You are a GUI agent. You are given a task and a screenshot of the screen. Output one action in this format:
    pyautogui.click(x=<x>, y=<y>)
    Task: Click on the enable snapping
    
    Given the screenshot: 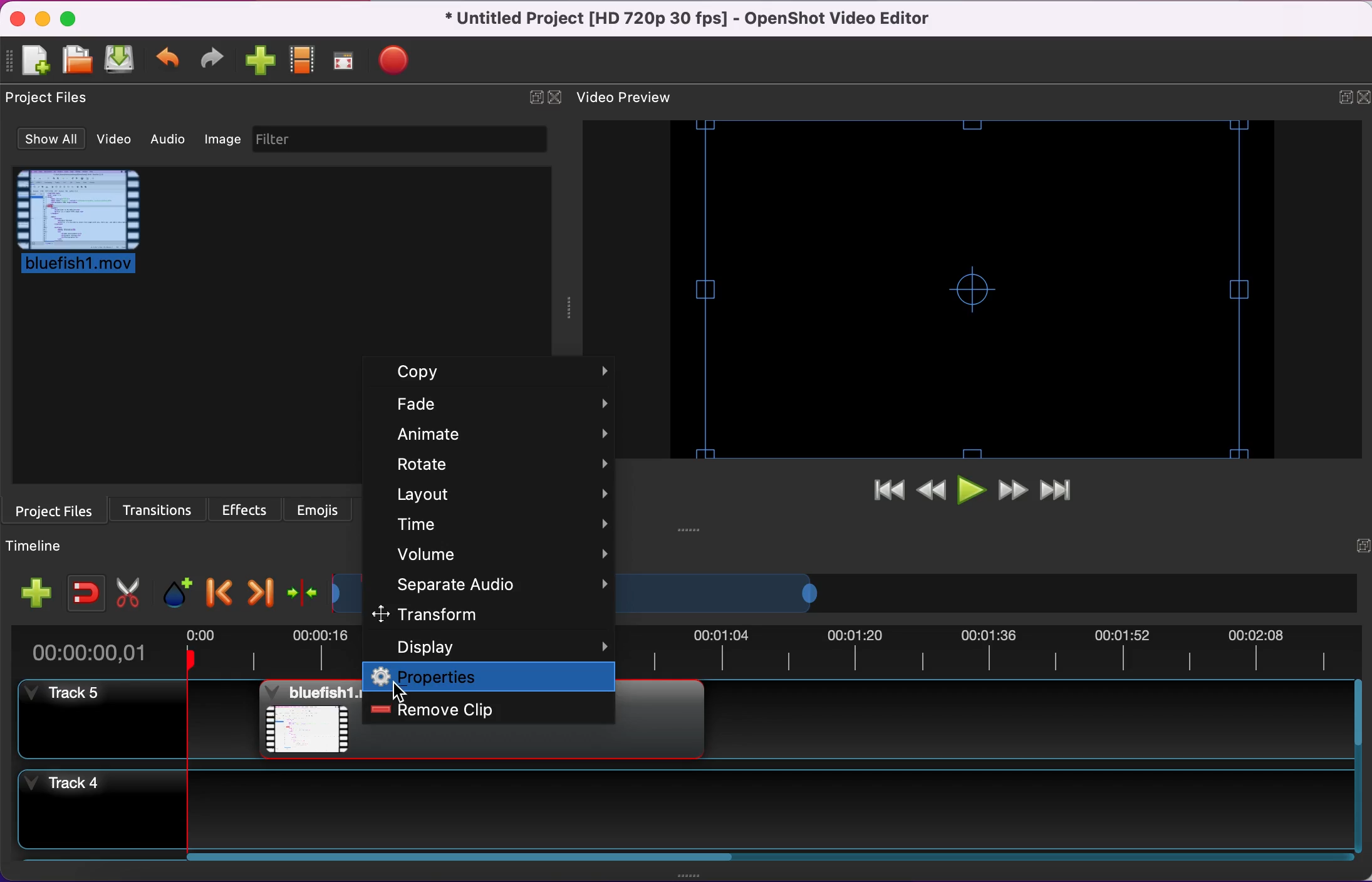 What is the action you would take?
    pyautogui.click(x=86, y=593)
    